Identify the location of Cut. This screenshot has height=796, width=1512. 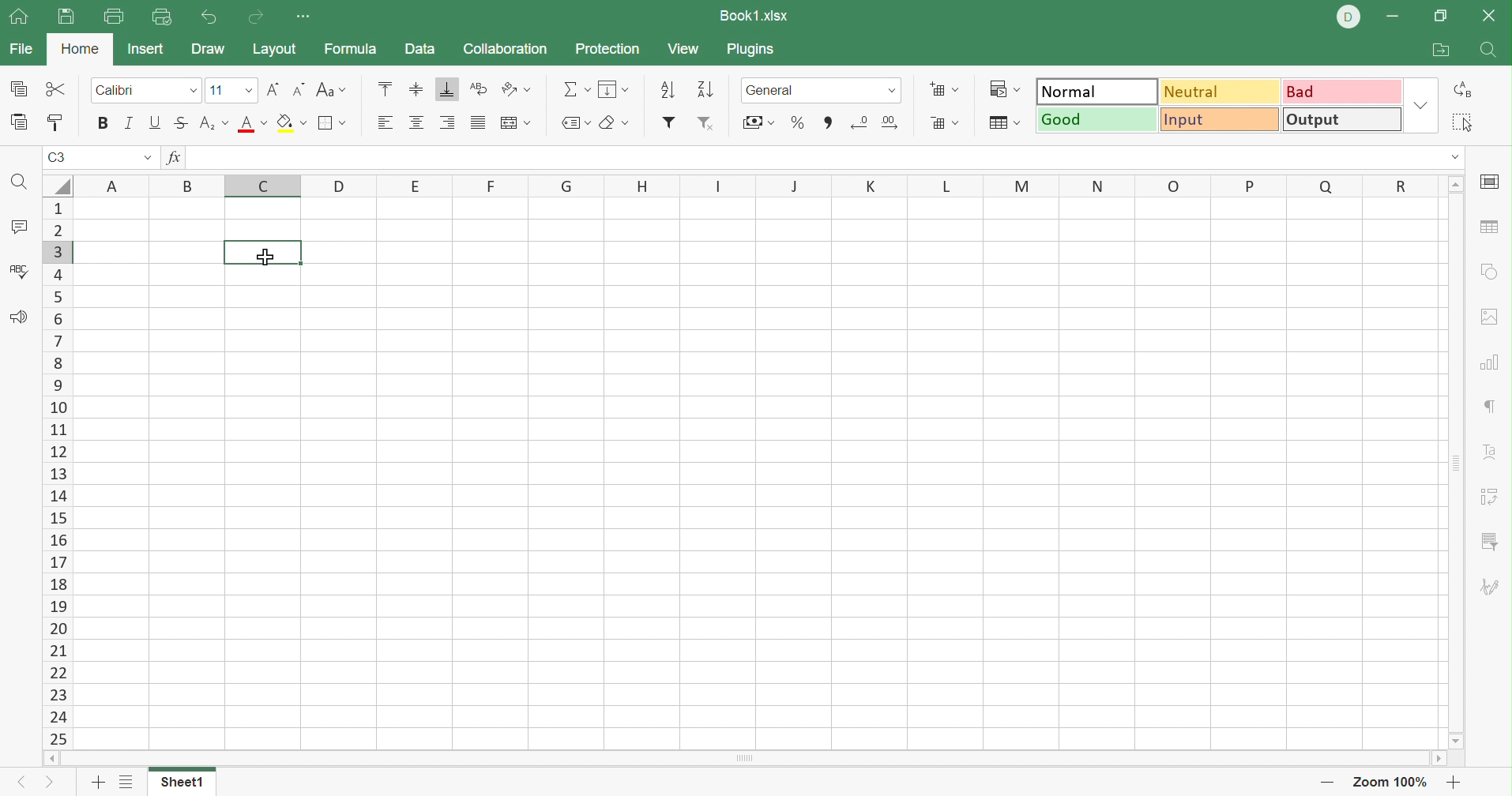
(56, 88).